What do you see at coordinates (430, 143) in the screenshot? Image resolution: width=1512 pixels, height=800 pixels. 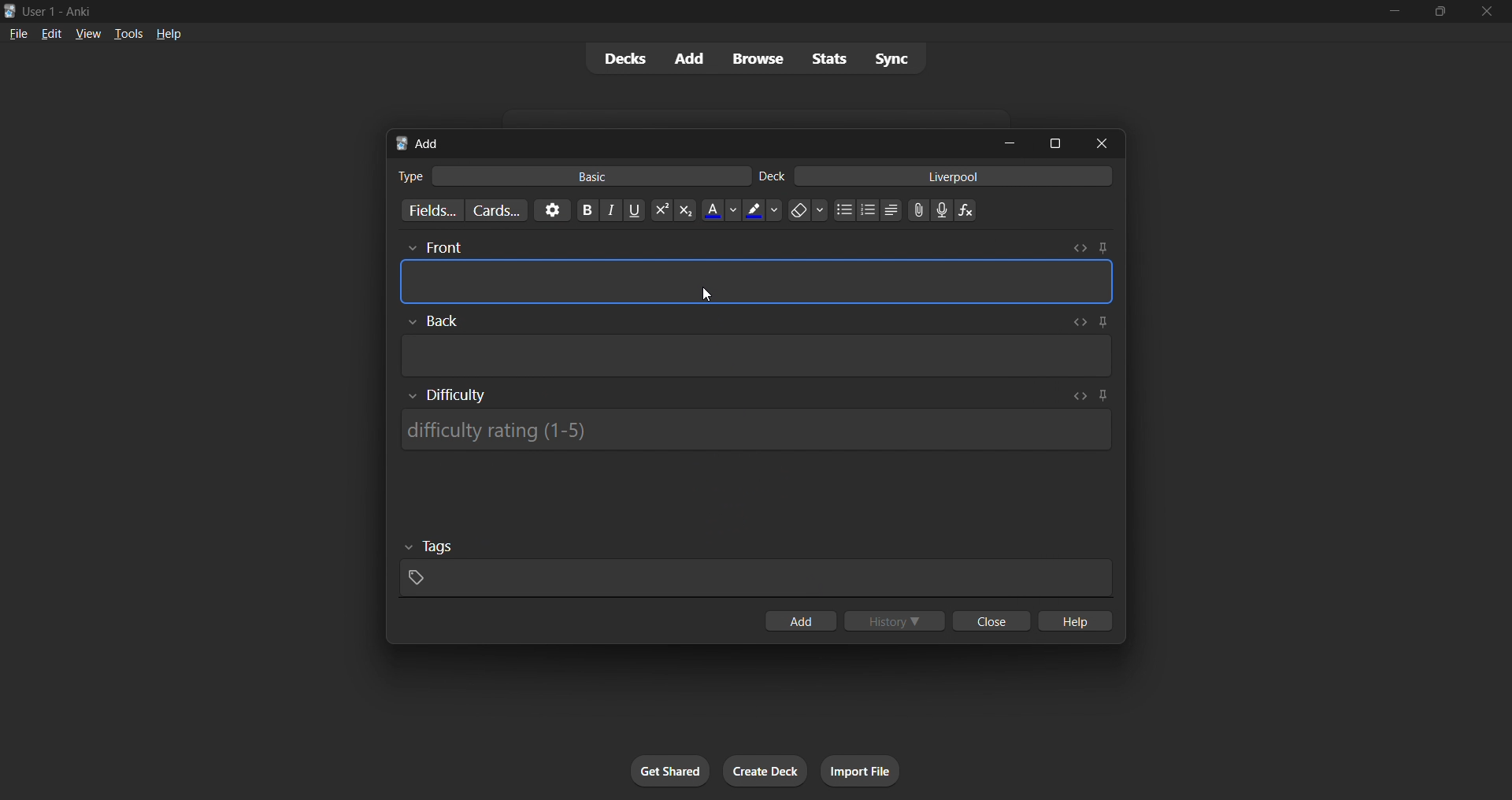 I see `add title bar` at bounding box center [430, 143].